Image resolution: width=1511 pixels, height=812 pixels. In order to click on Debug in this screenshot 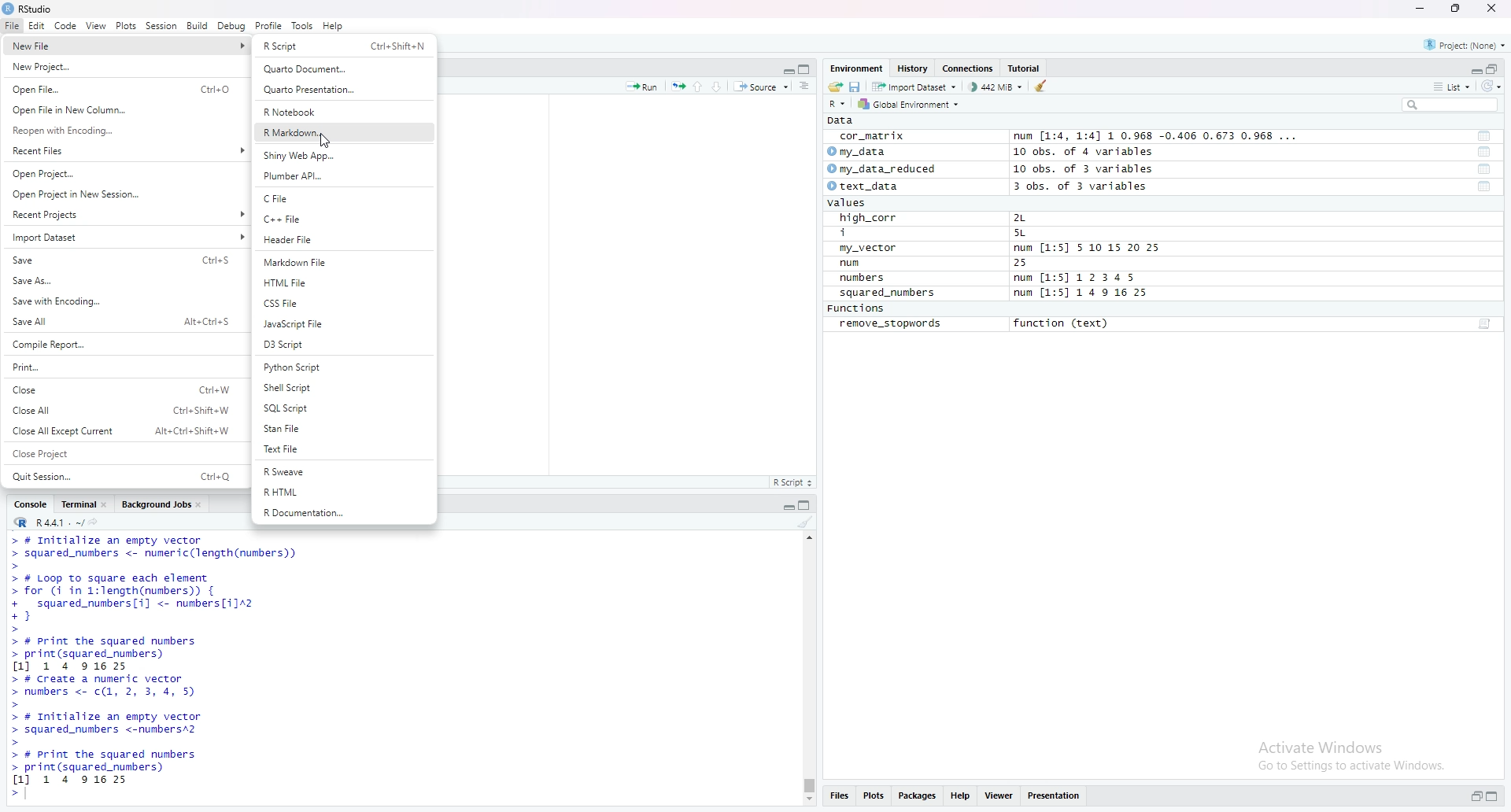, I will do `click(231, 27)`.